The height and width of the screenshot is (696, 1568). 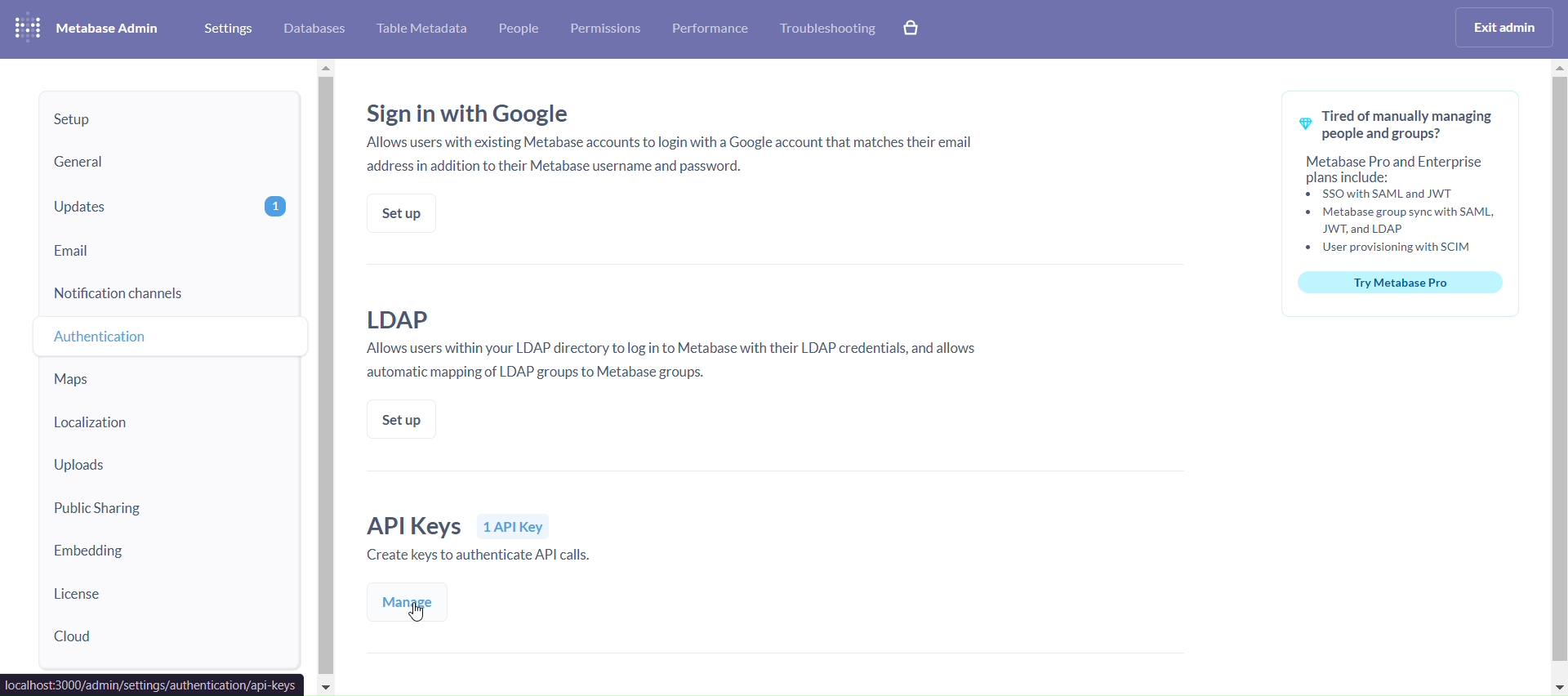 What do you see at coordinates (520, 30) in the screenshot?
I see `people` at bounding box center [520, 30].